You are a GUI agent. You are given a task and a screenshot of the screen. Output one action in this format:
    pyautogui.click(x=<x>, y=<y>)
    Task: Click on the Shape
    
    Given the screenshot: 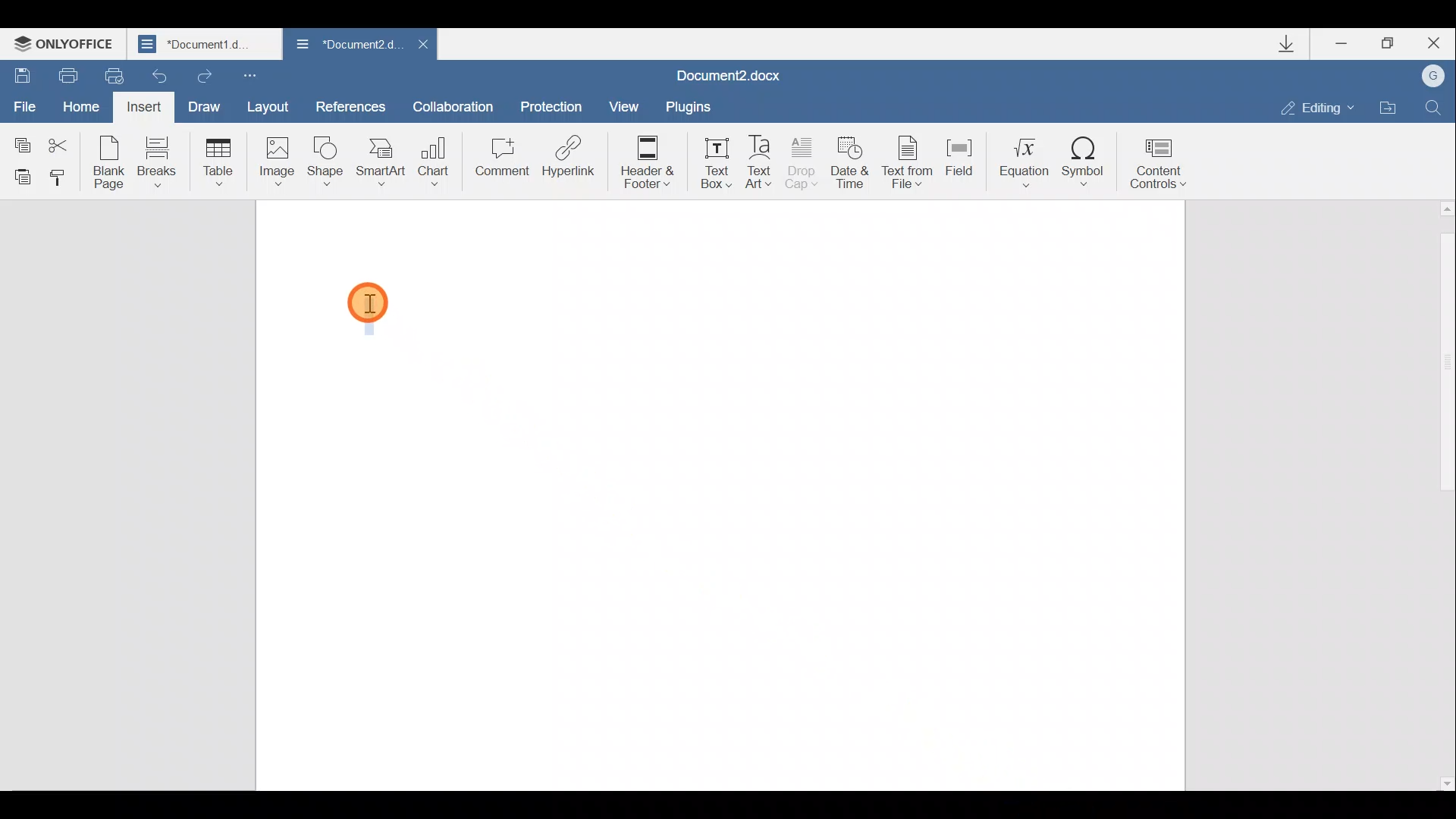 What is the action you would take?
    pyautogui.click(x=323, y=162)
    